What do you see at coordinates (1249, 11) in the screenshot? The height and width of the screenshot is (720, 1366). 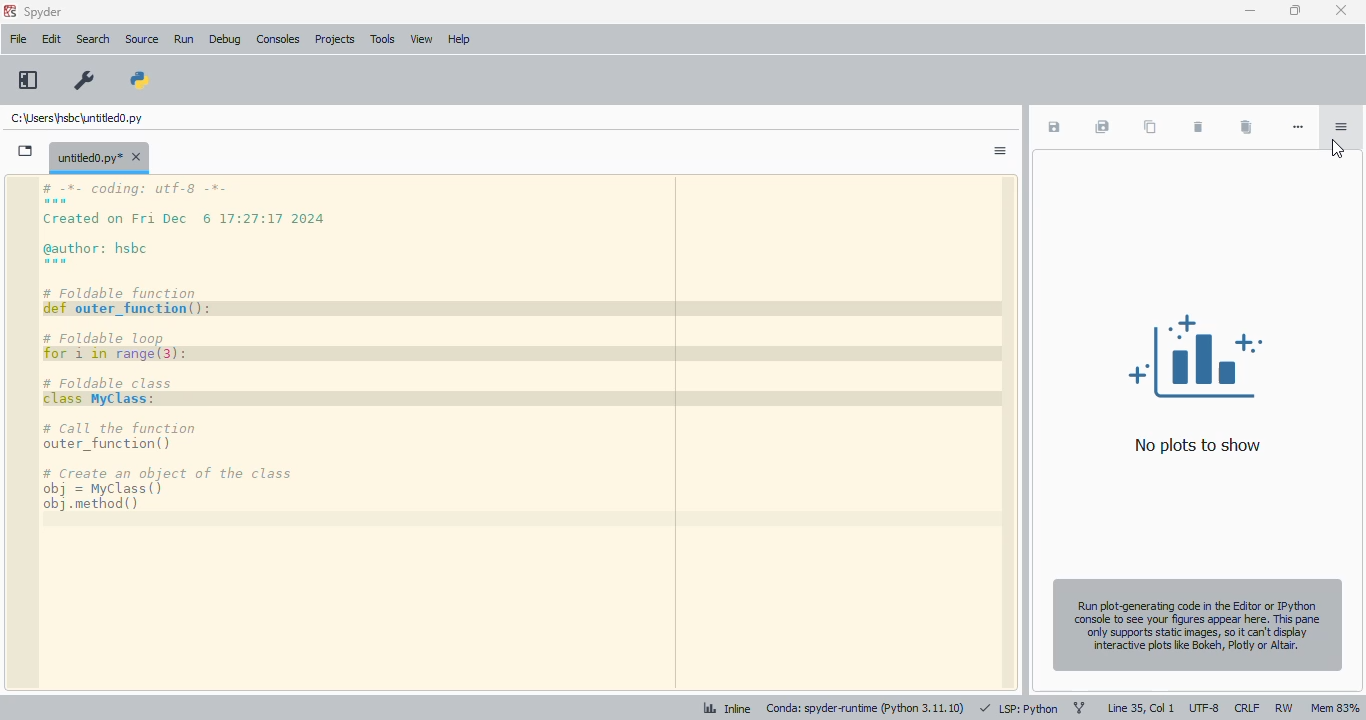 I see `minimize` at bounding box center [1249, 11].